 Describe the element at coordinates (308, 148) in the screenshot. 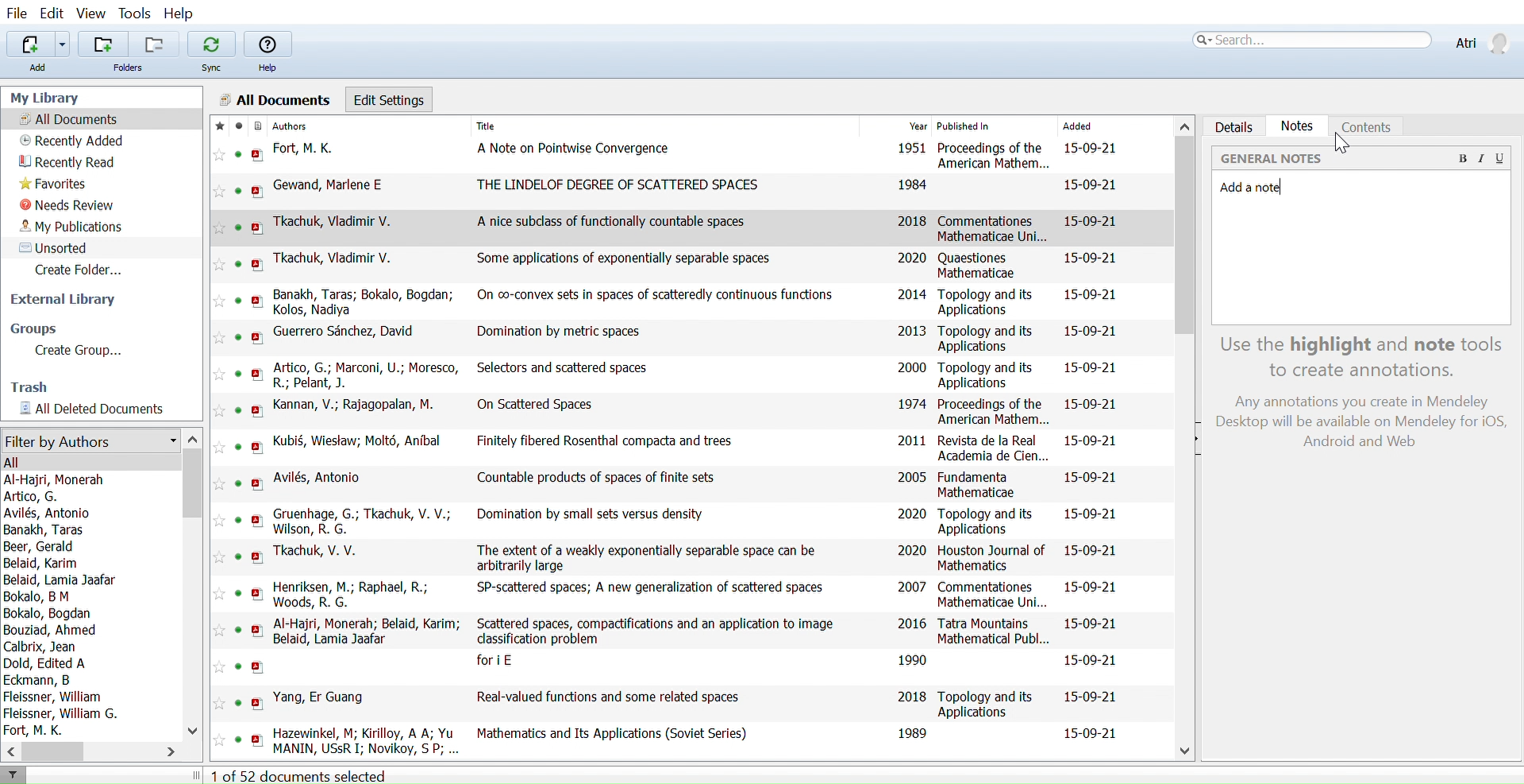

I see `Fort, M. K.` at that location.